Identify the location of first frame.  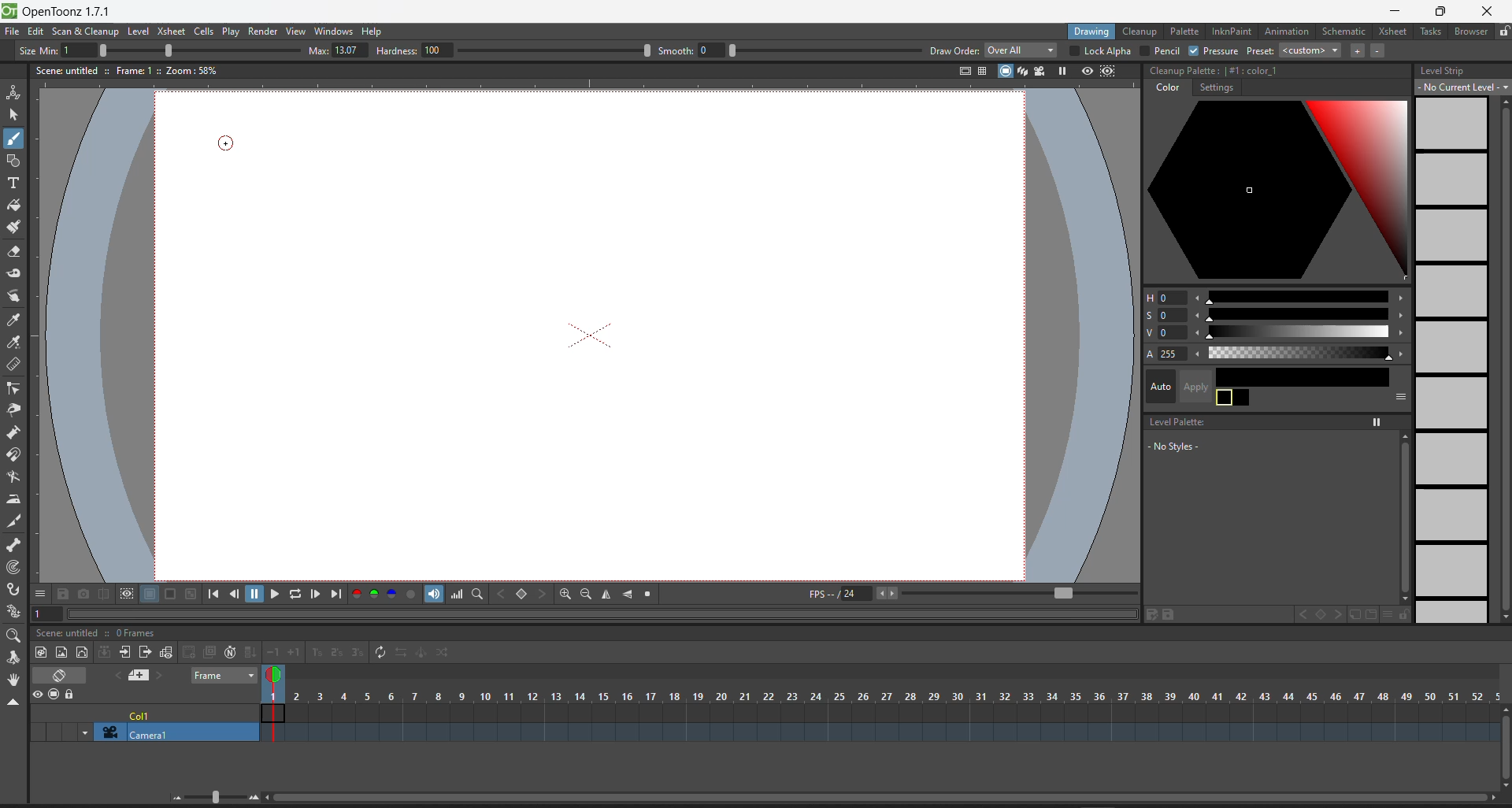
(213, 595).